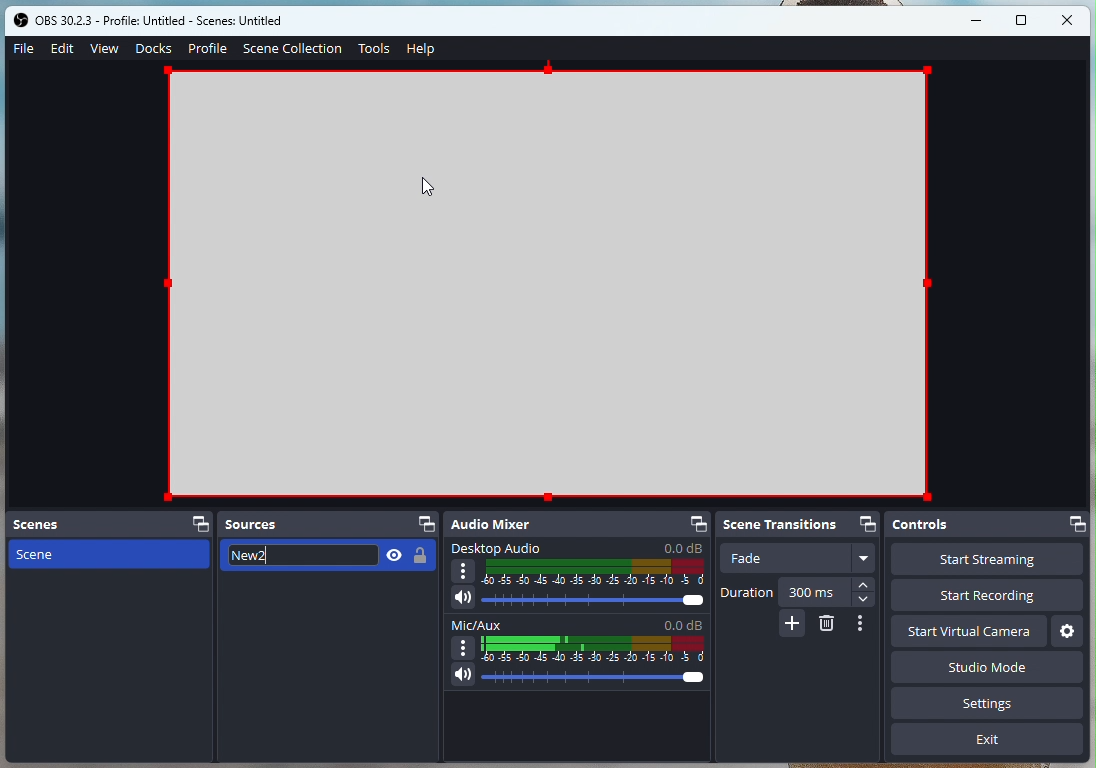 The image size is (1096, 768). What do you see at coordinates (969, 630) in the screenshot?
I see `Start virtual camera` at bounding box center [969, 630].